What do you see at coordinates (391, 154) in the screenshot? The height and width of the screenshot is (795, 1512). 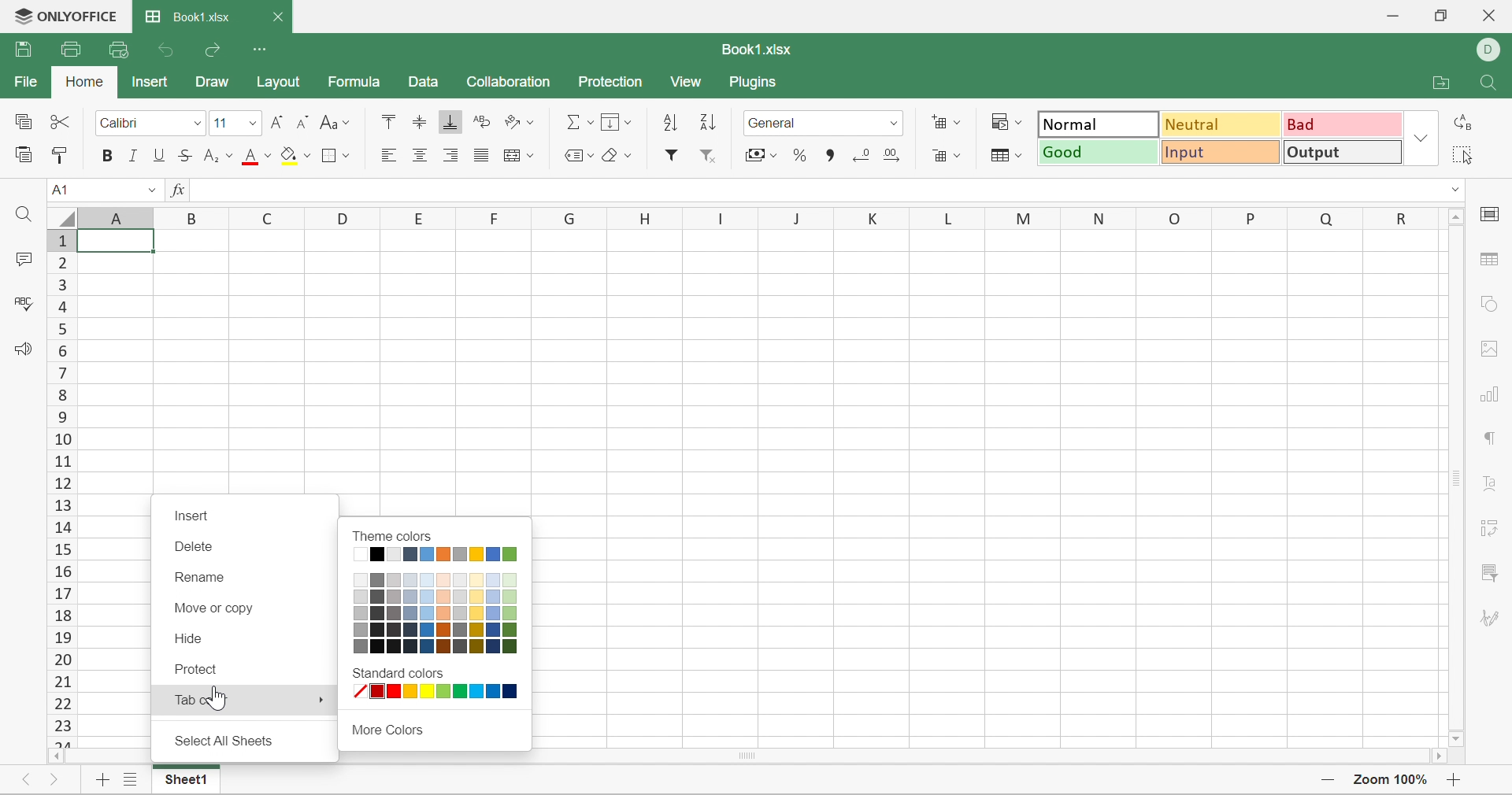 I see `Align Left` at bounding box center [391, 154].